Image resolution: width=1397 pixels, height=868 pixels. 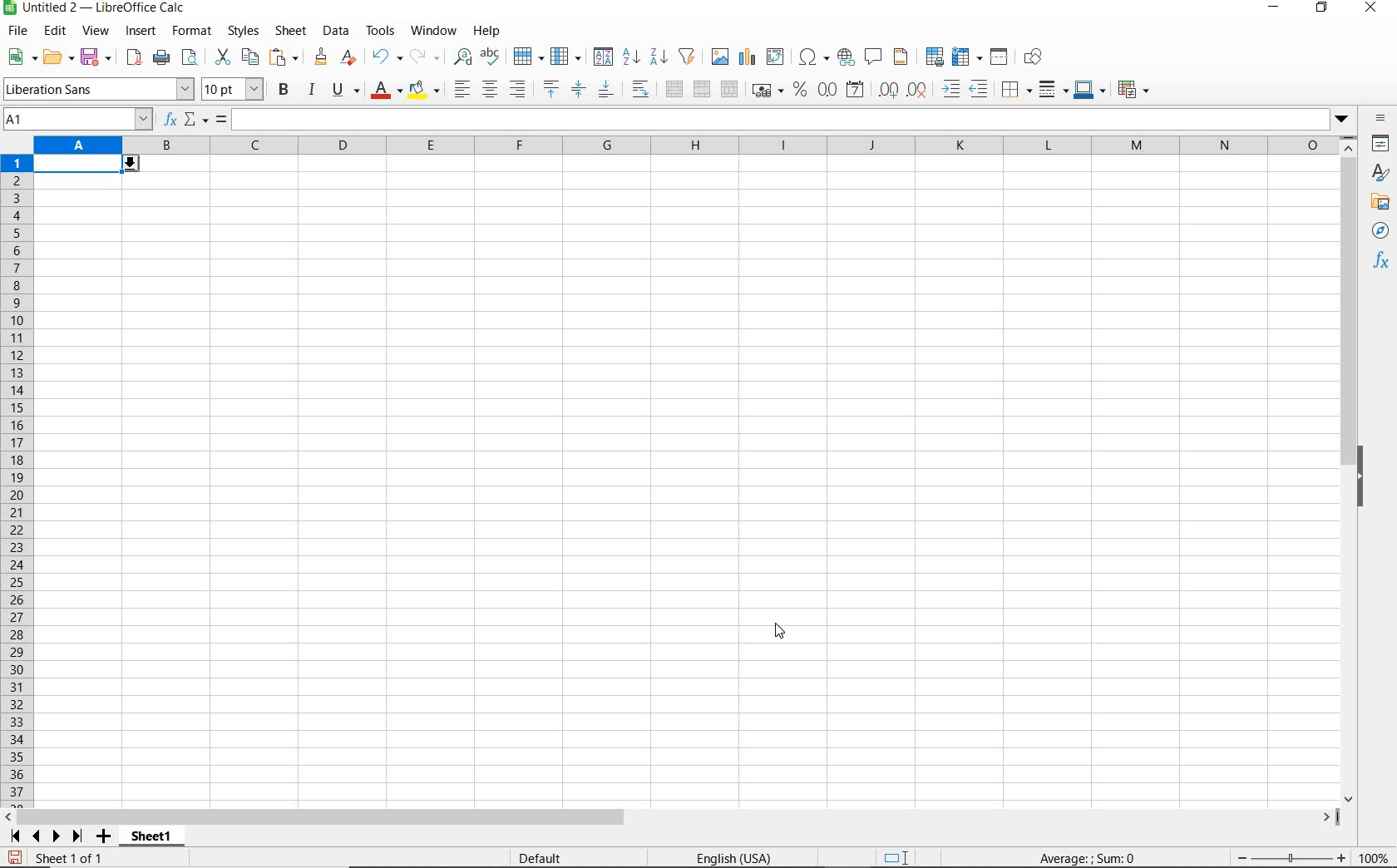 What do you see at coordinates (567, 57) in the screenshot?
I see `column` at bounding box center [567, 57].